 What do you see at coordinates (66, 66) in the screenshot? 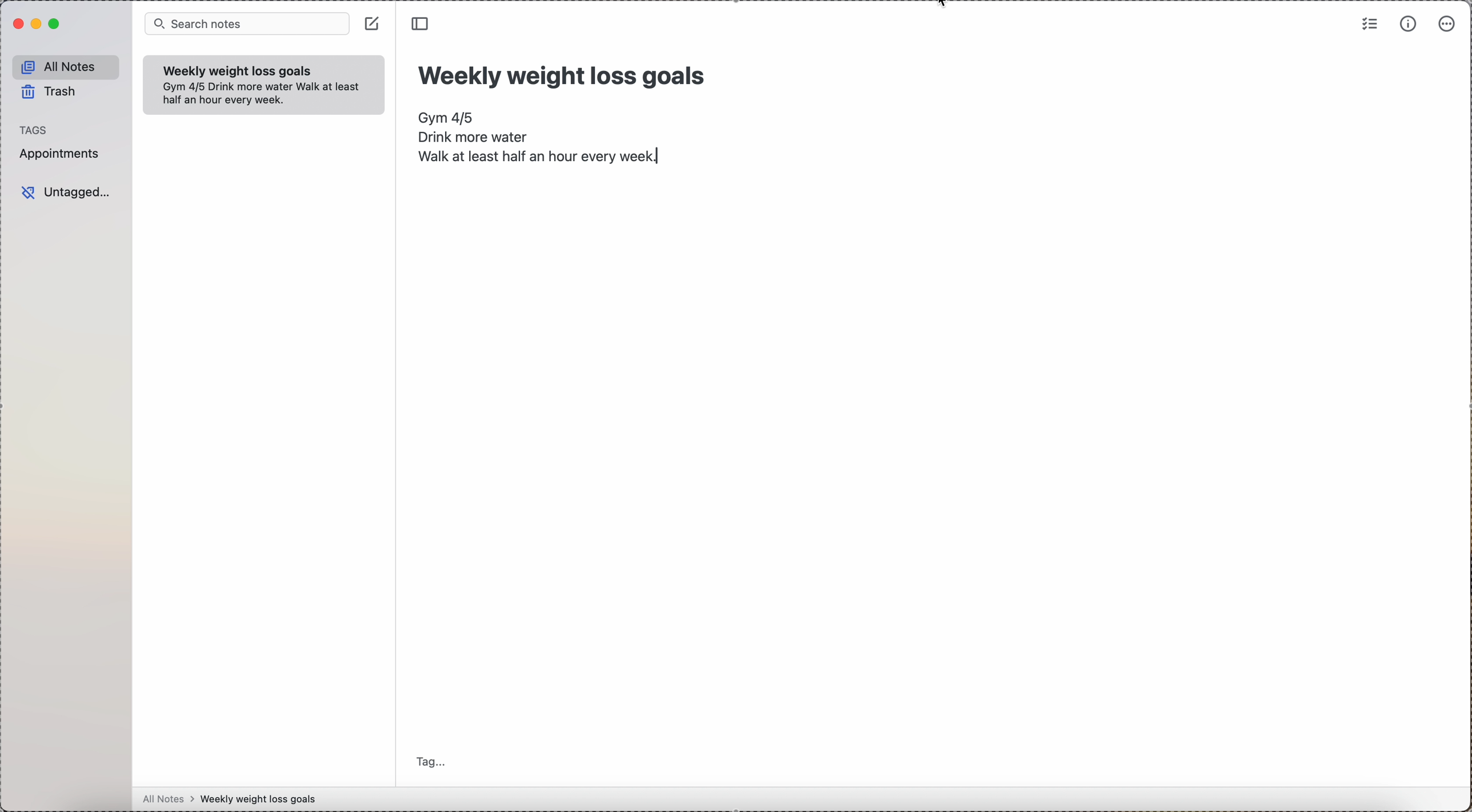
I see `all notes` at bounding box center [66, 66].